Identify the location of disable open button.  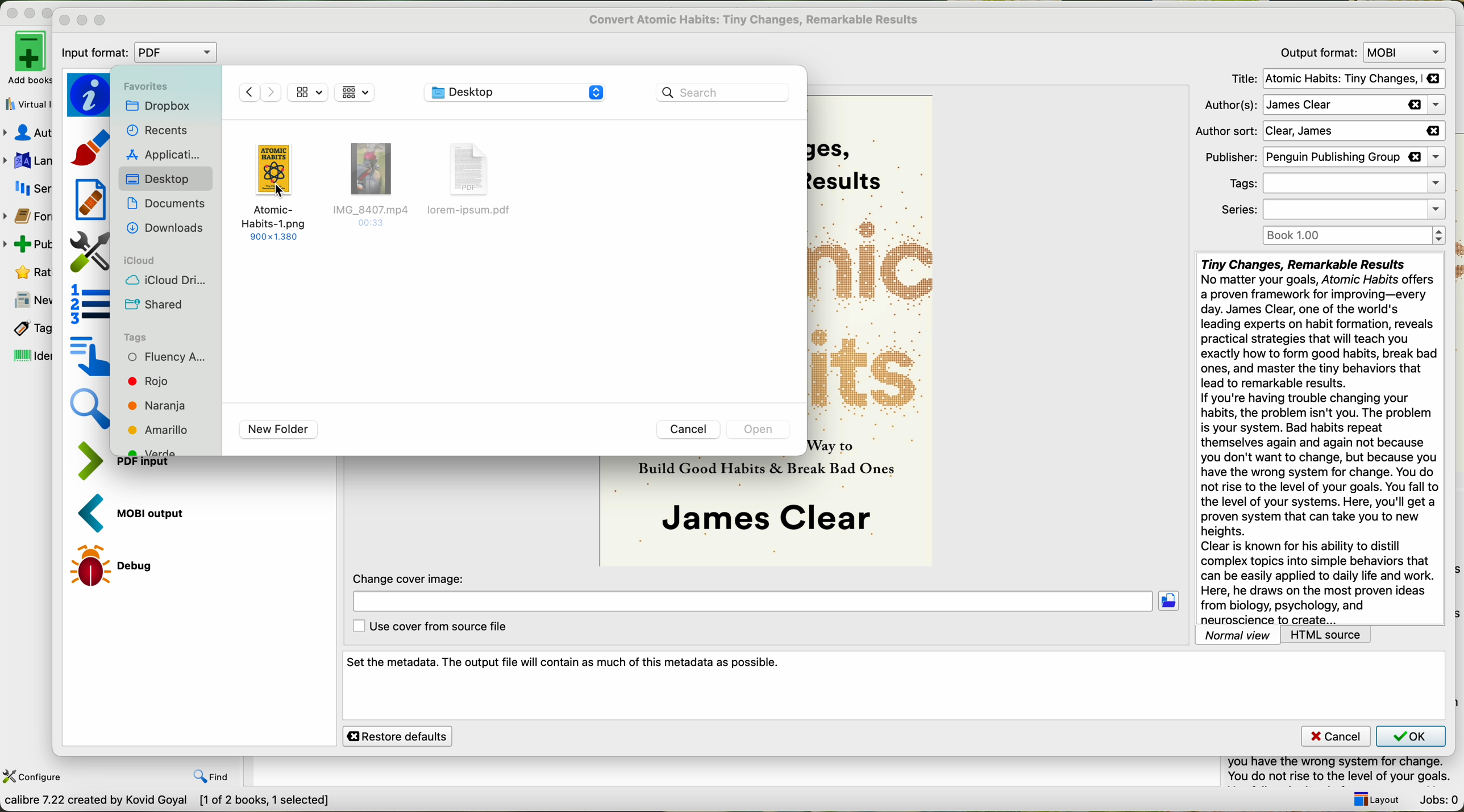
(760, 430).